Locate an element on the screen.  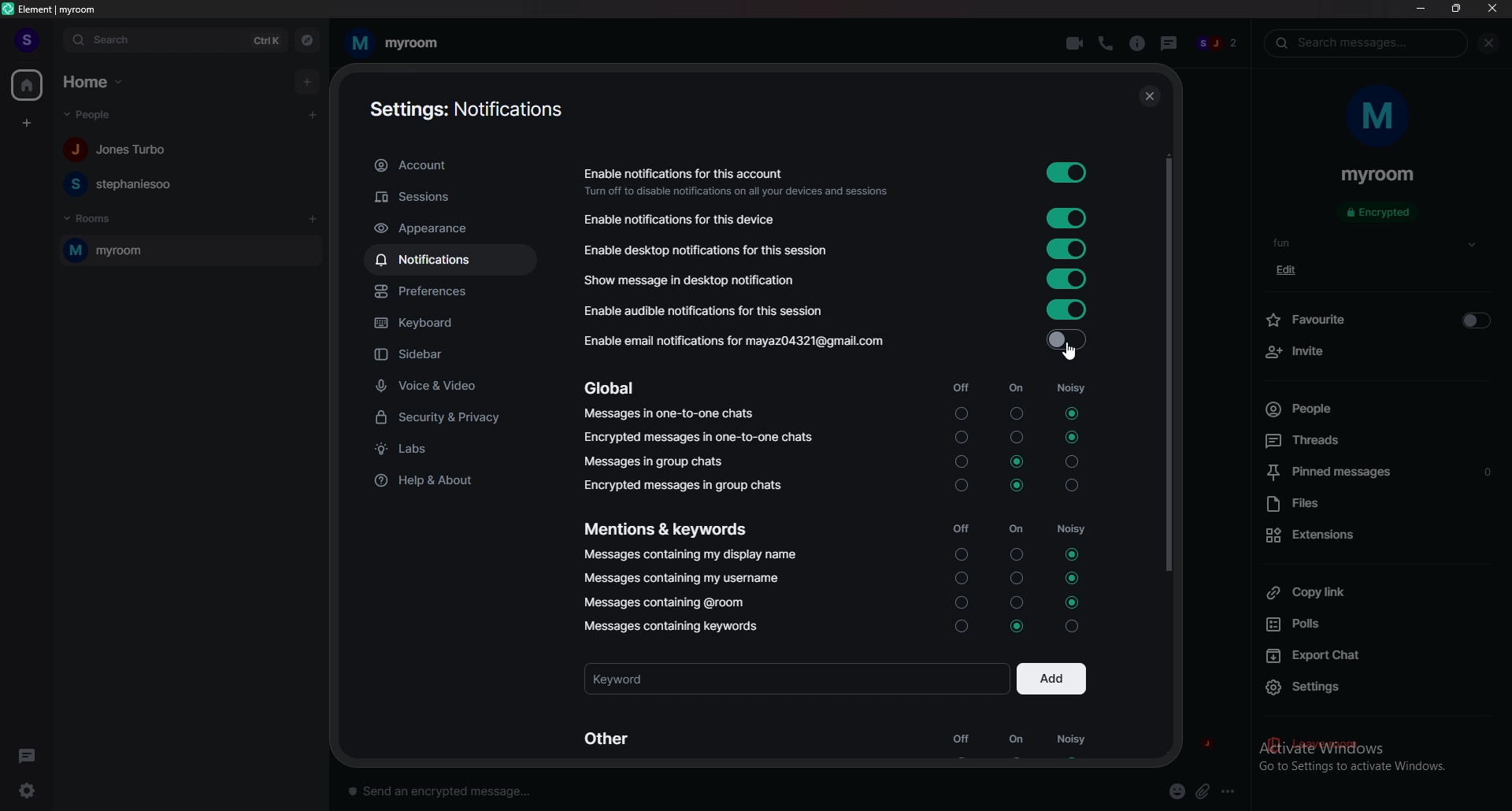
off is located at coordinates (958, 507).